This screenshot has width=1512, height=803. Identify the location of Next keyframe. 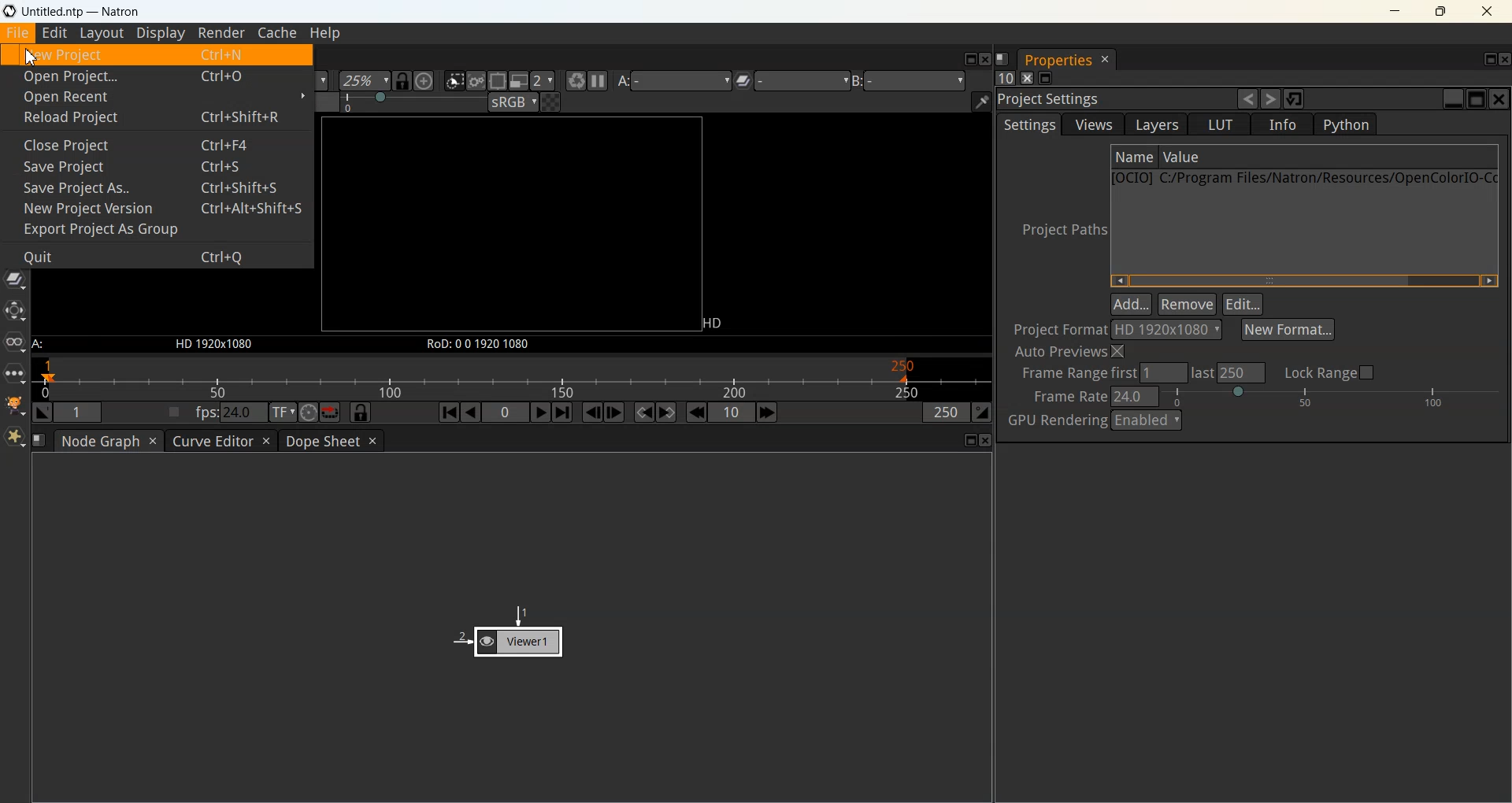
(665, 413).